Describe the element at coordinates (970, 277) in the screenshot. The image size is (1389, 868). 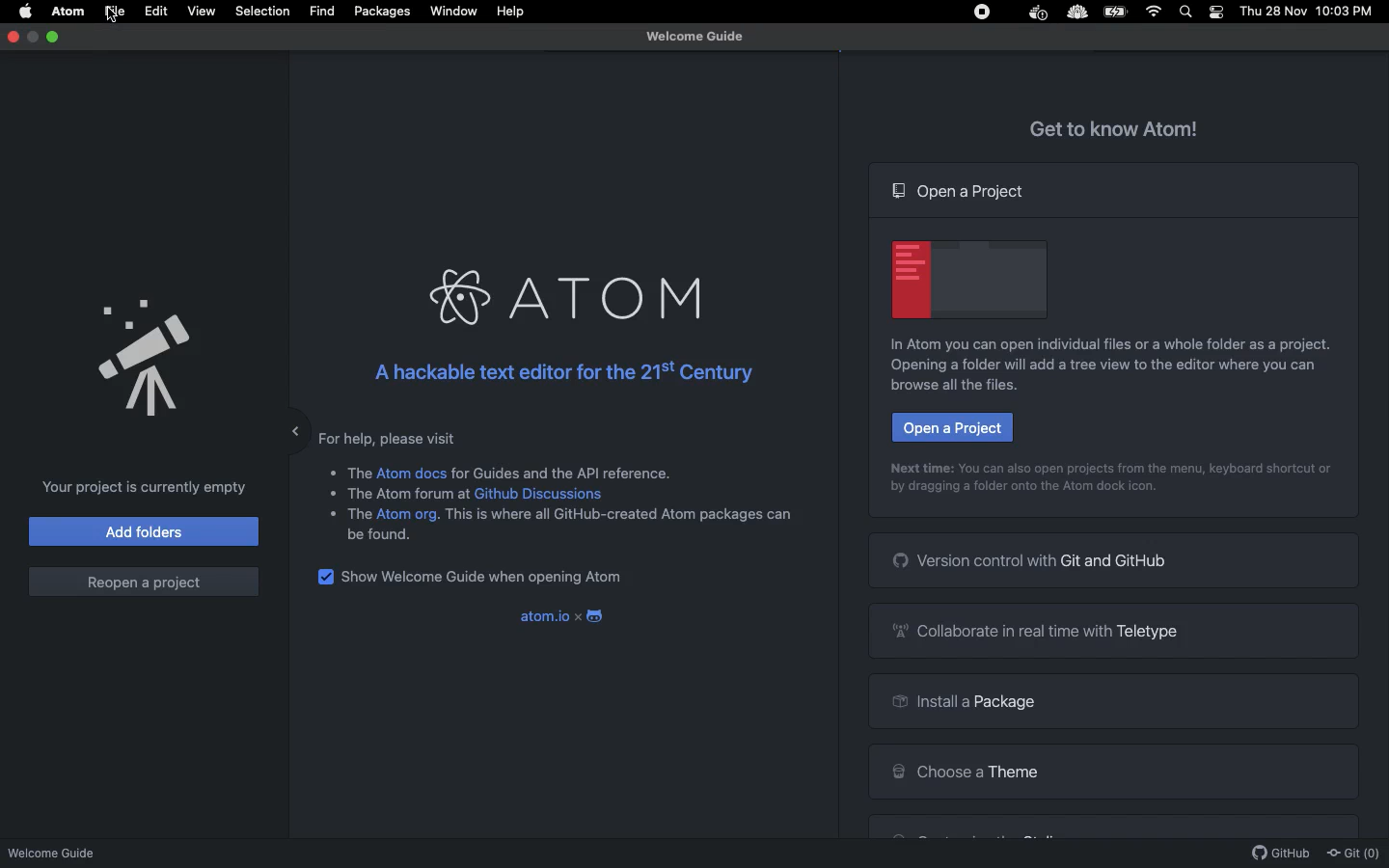
I see `Screen` at that location.